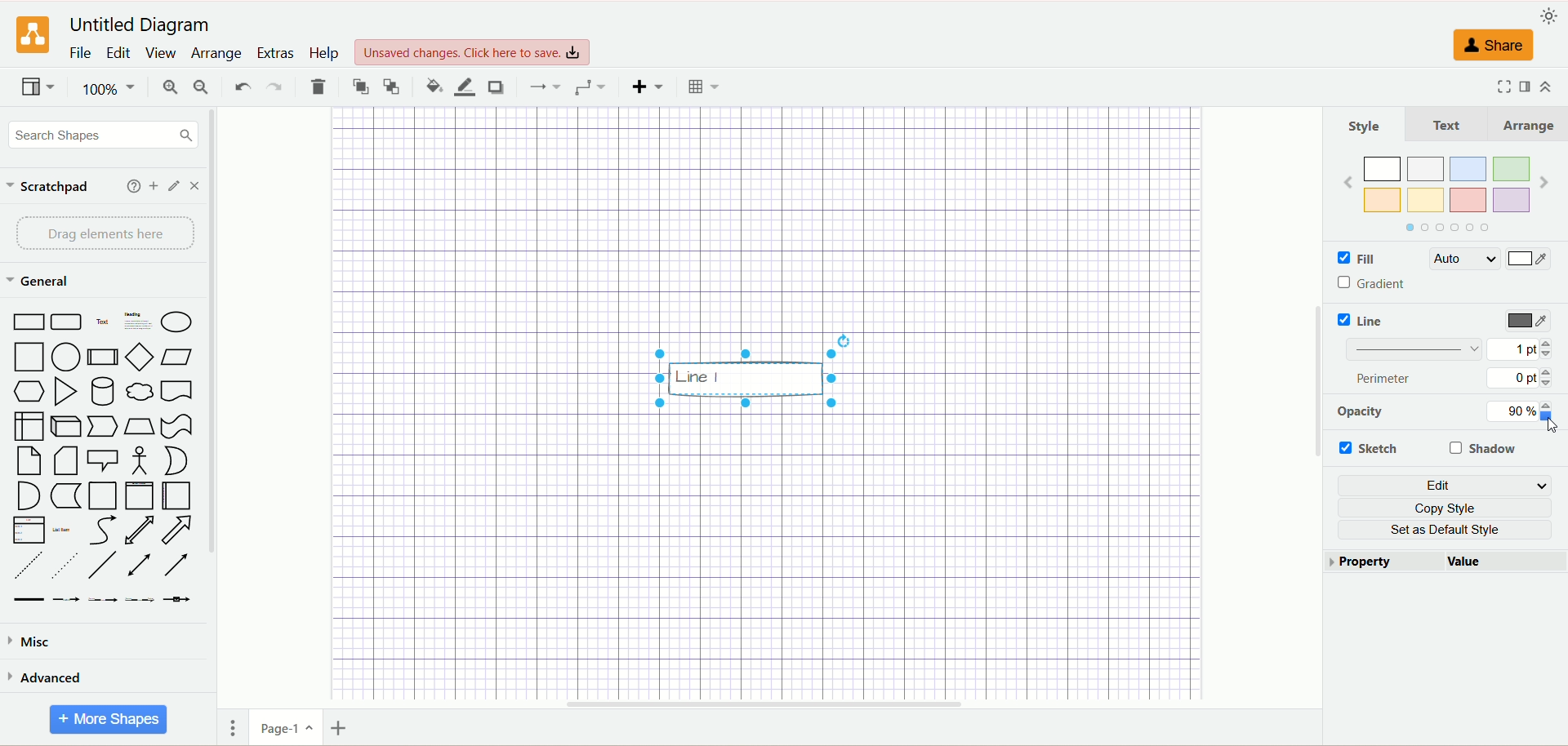 This screenshot has width=1568, height=746. What do you see at coordinates (31, 35) in the screenshot?
I see `logo` at bounding box center [31, 35].